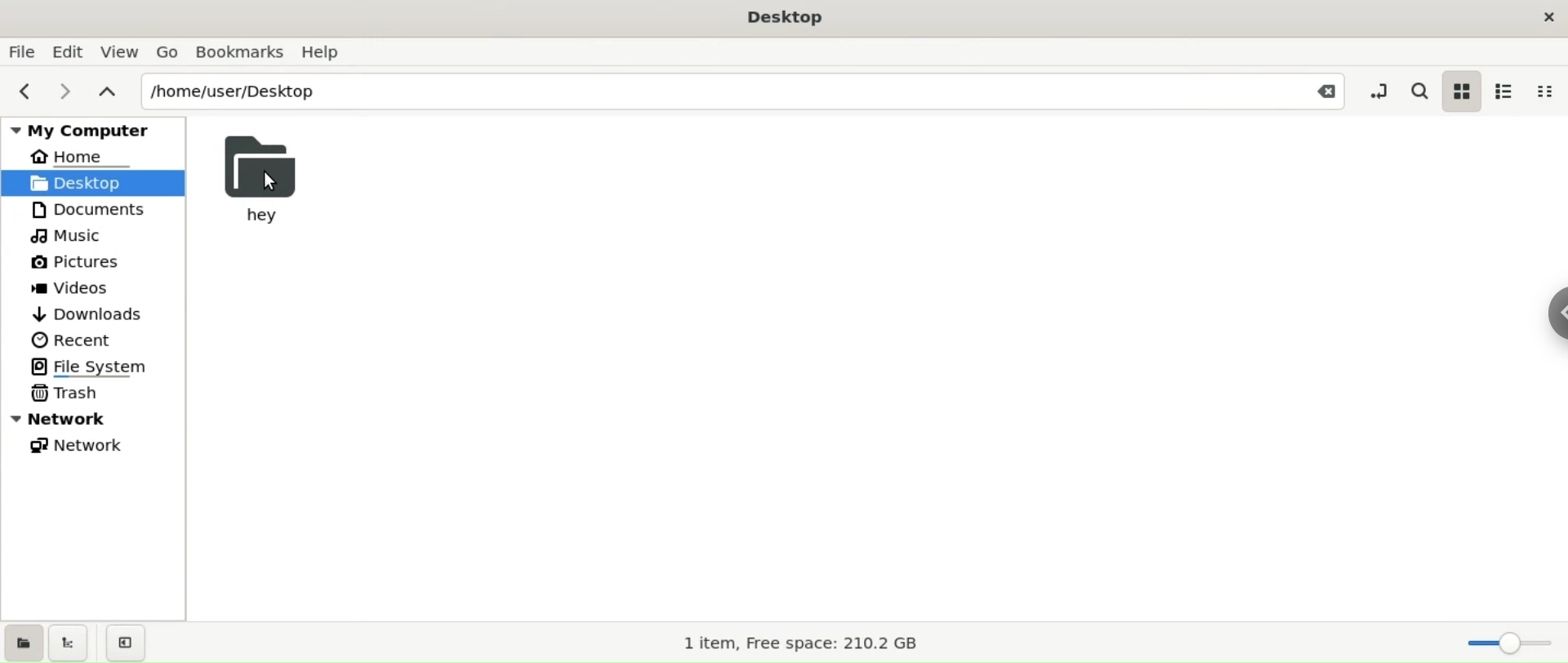 This screenshot has height=663, width=1568. I want to click on Bookmarks, so click(239, 52).